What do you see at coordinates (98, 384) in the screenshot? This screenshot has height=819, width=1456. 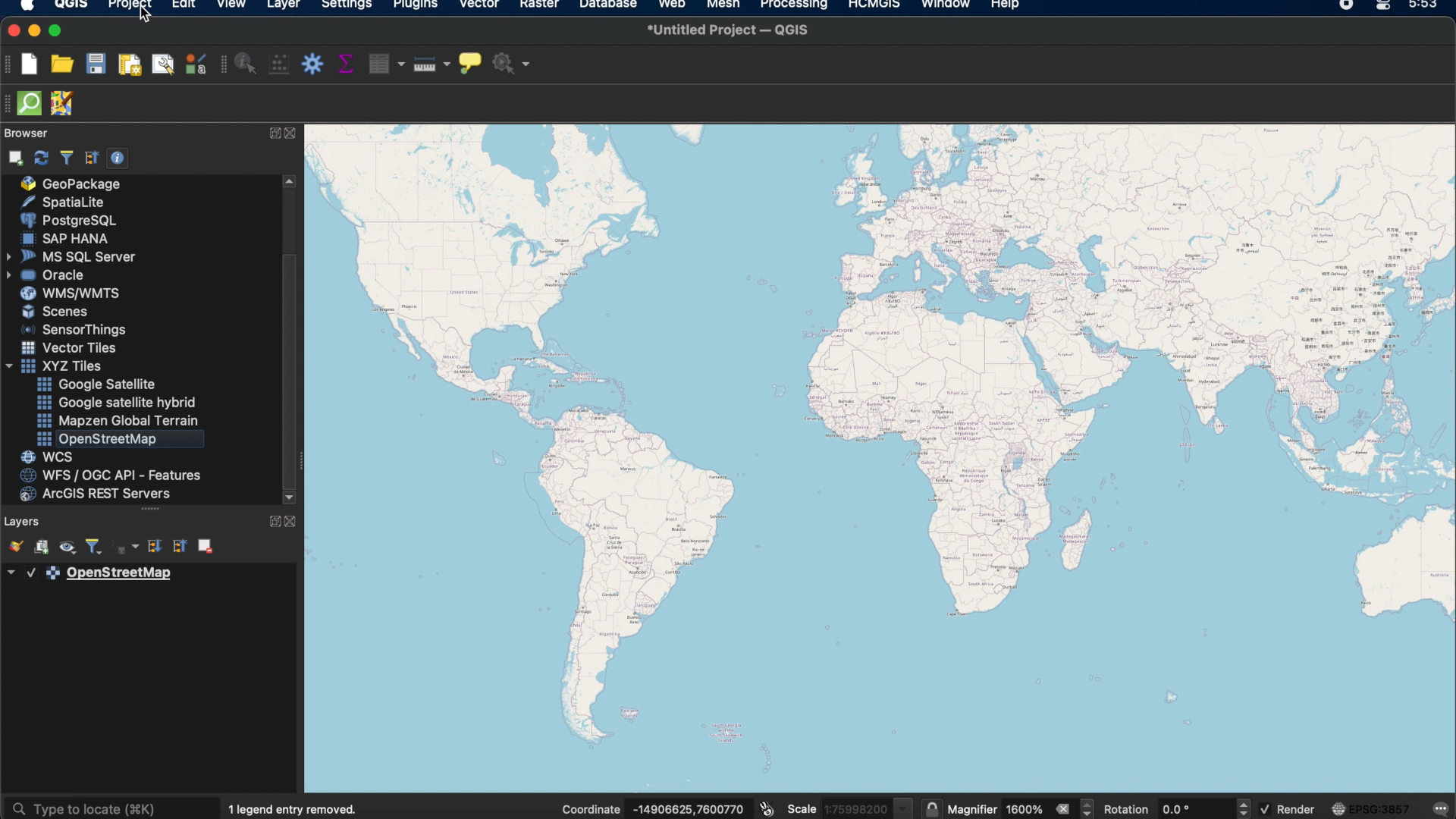 I see `google satellite ` at bounding box center [98, 384].